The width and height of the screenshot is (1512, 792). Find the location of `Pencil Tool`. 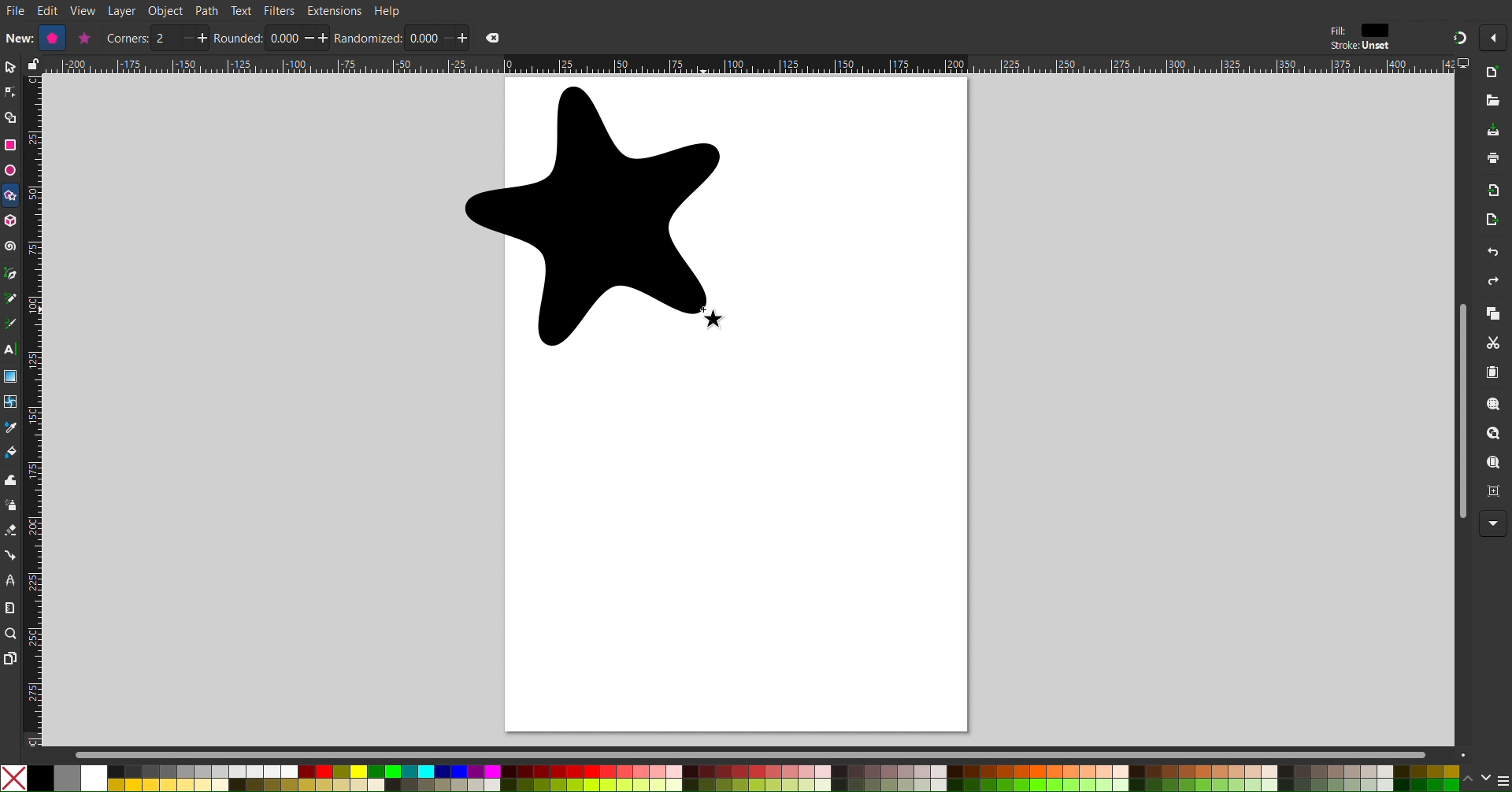

Pencil Tool is located at coordinates (10, 300).